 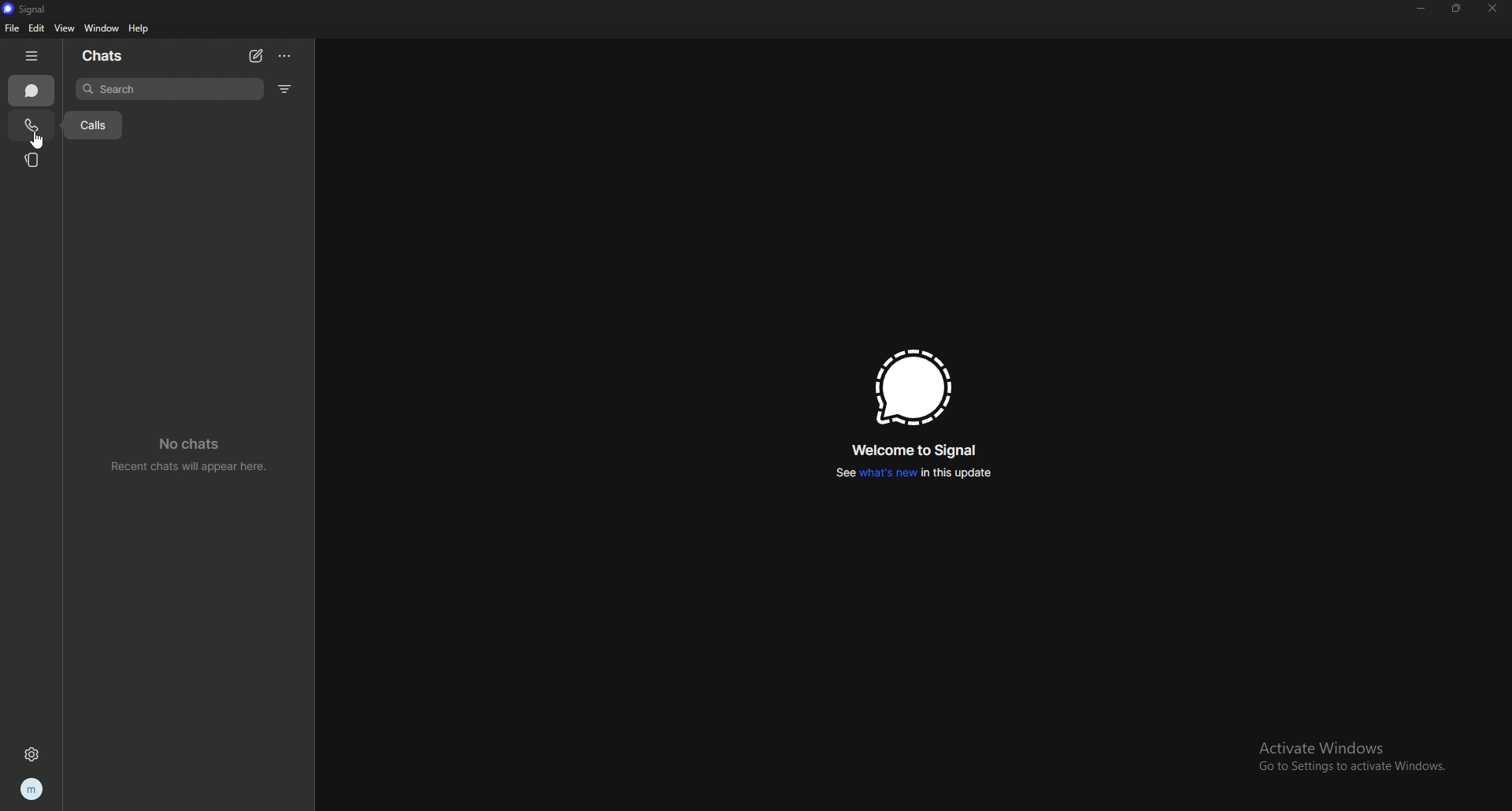 I want to click on minimize, so click(x=1421, y=9).